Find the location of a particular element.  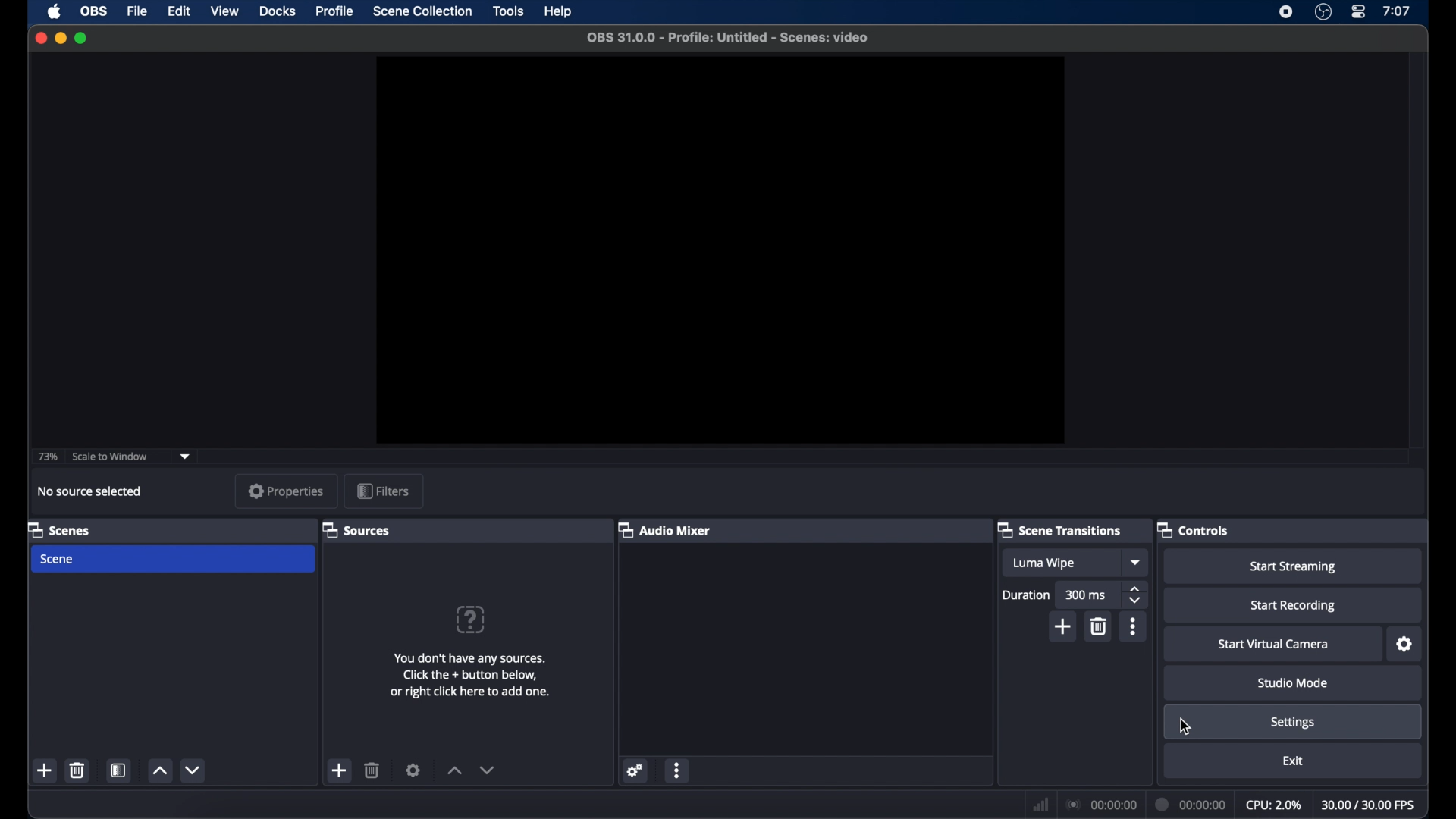

more options is located at coordinates (1133, 626).